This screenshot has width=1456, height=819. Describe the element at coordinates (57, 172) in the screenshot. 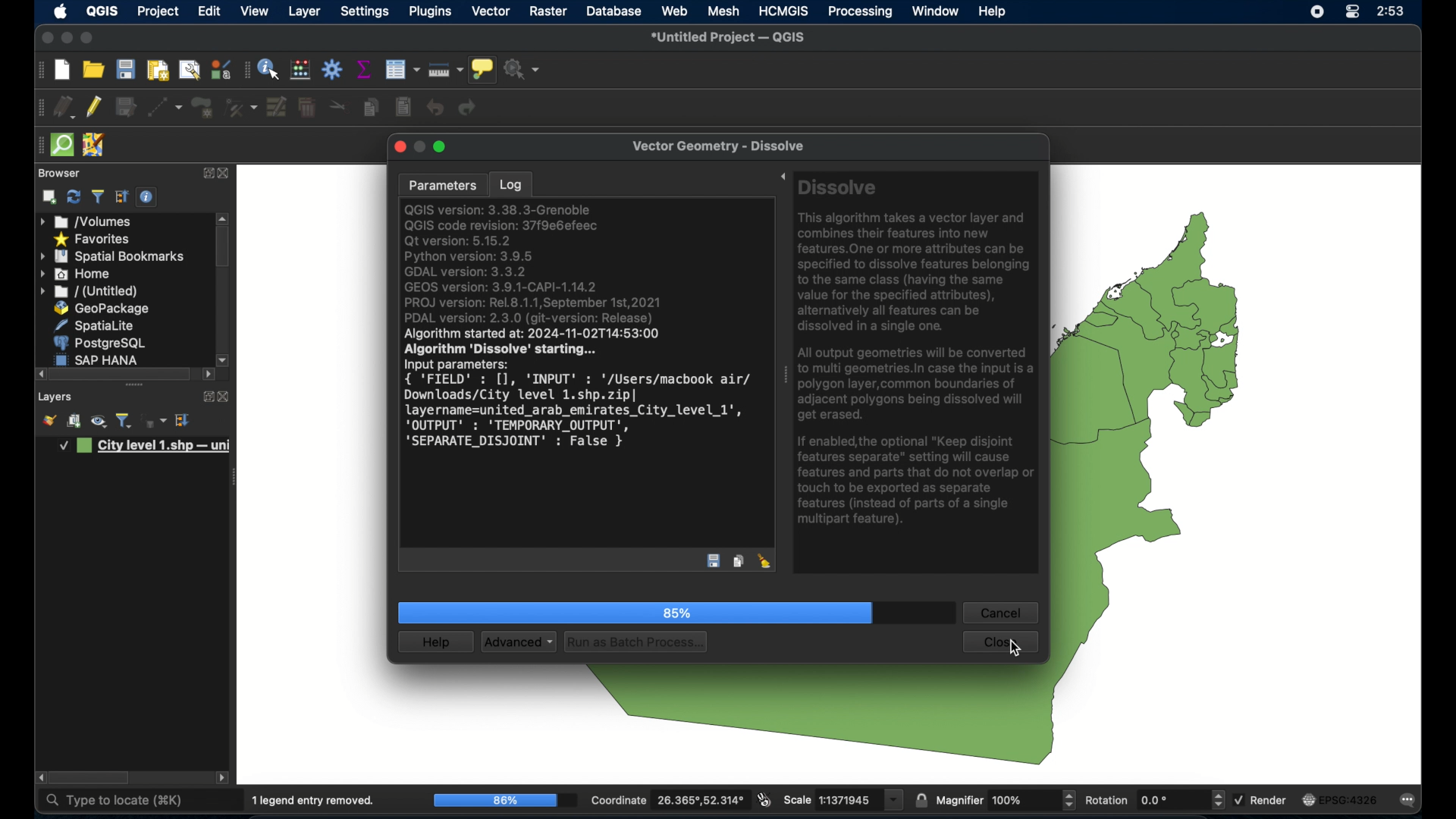

I see `browser` at that location.